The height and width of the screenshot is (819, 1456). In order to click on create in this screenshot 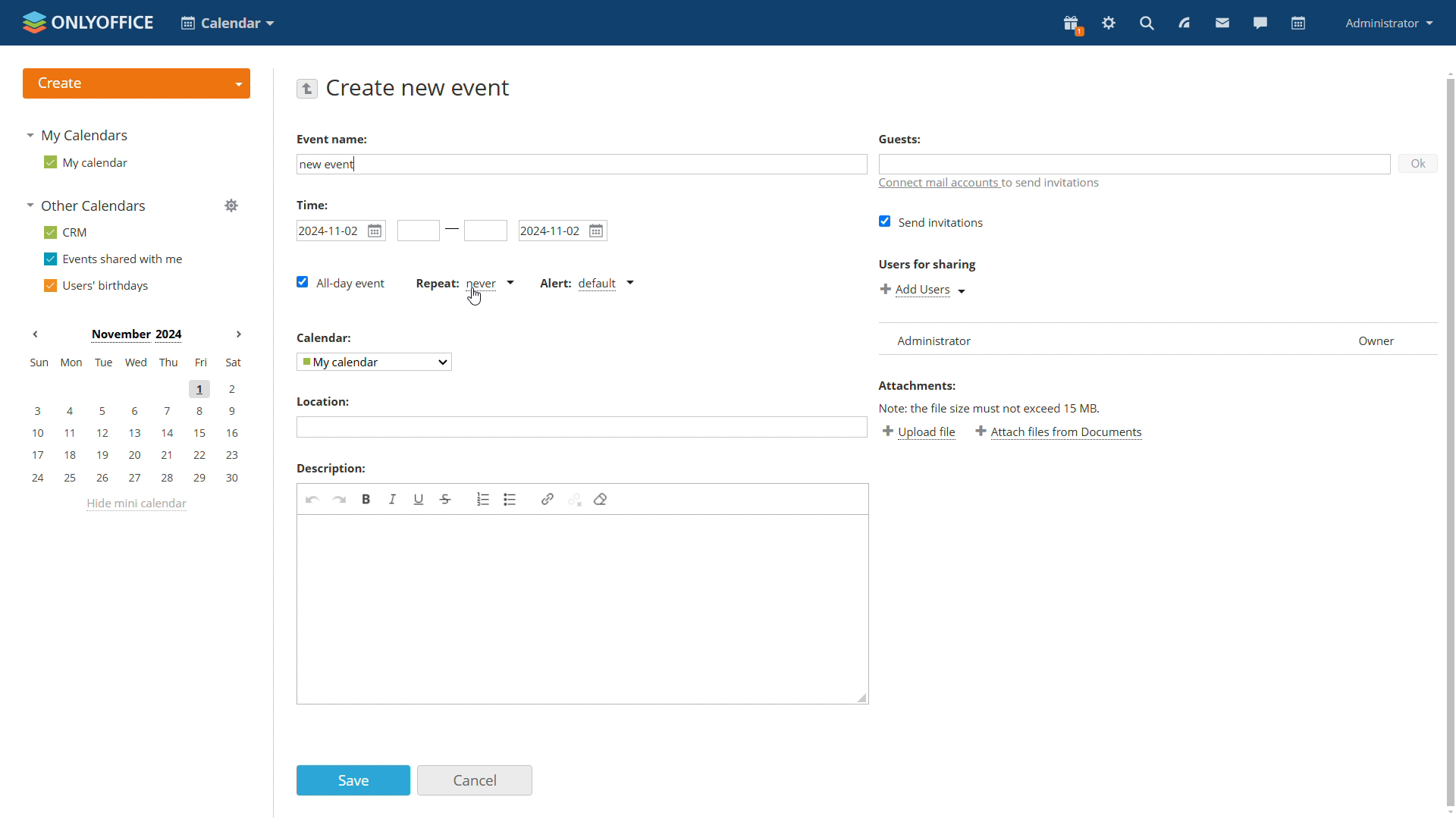, I will do `click(135, 83)`.